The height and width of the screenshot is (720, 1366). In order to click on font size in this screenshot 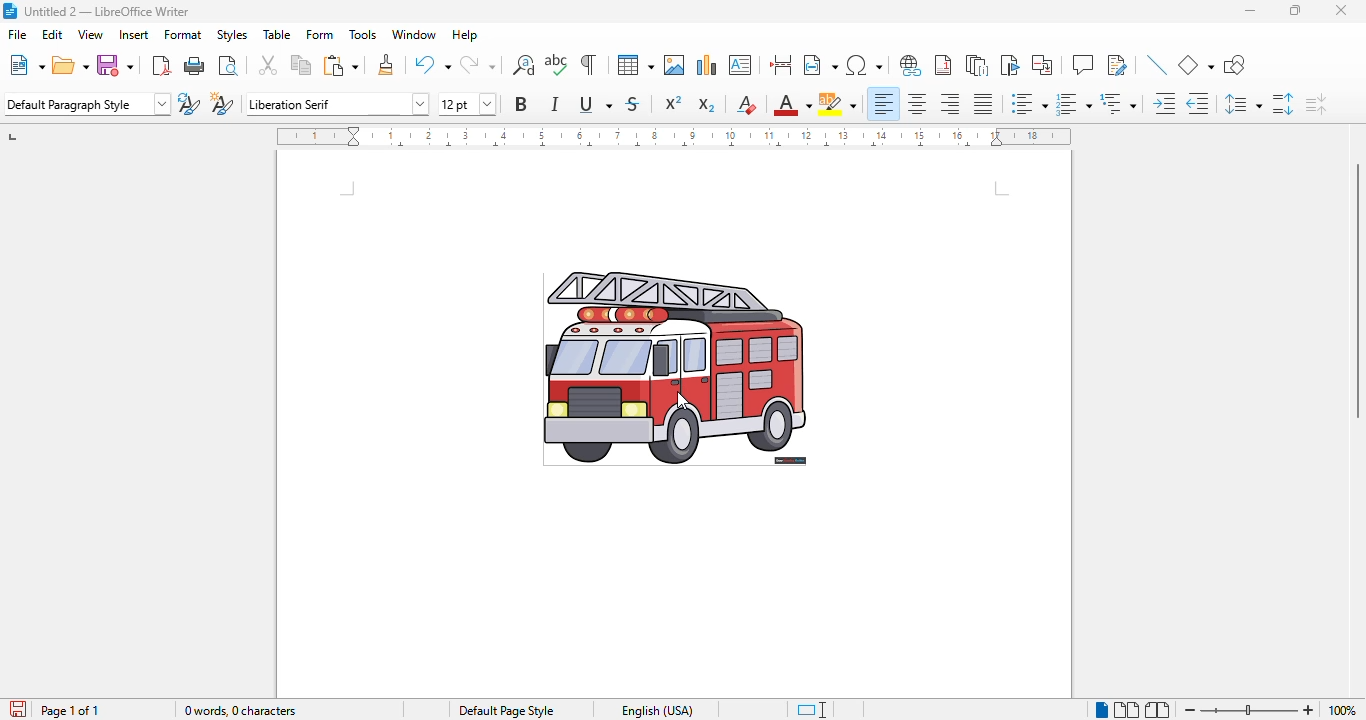, I will do `click(466, 103)`.